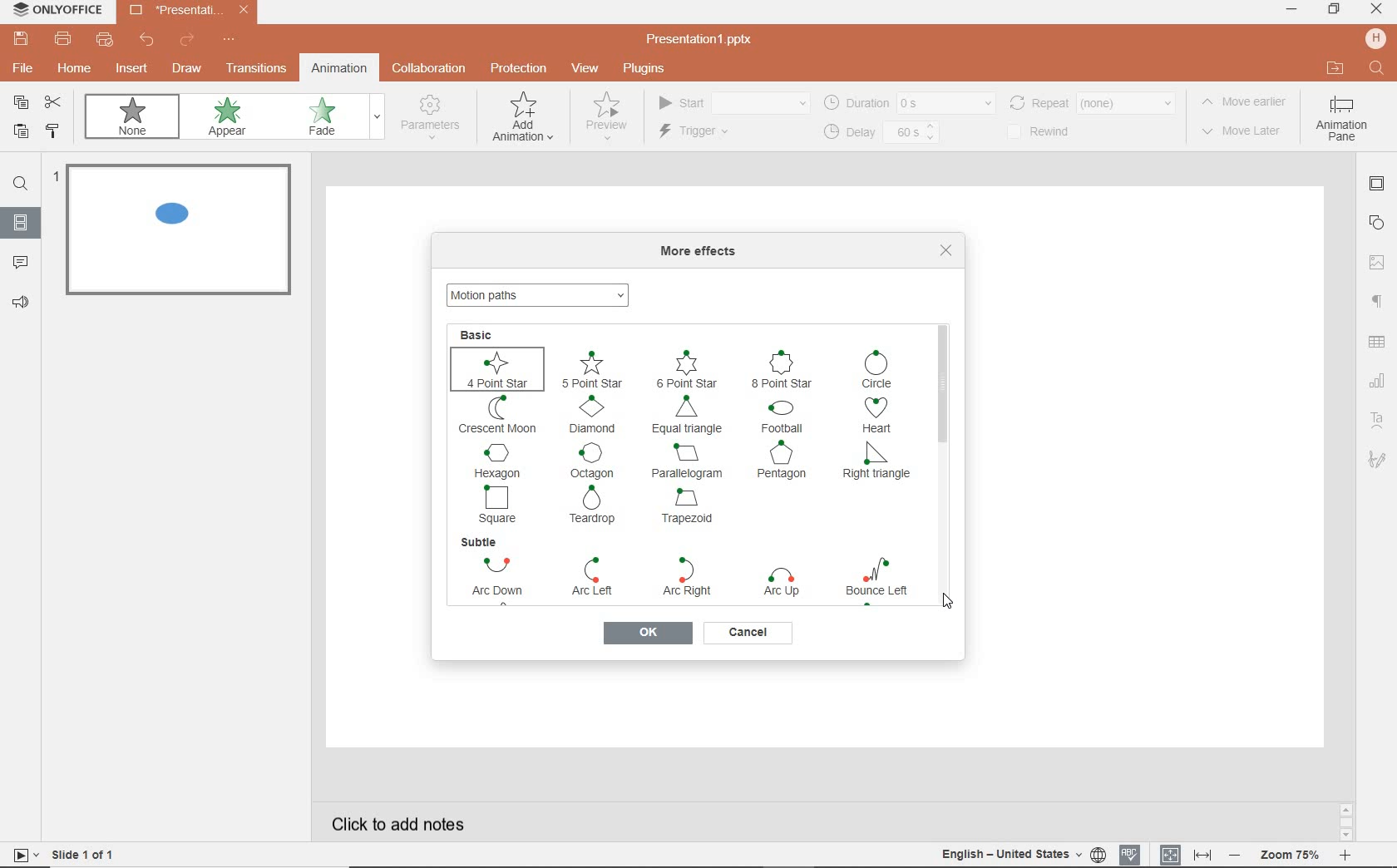  What do you see at coordinates (57, 10) in the screenshot?
I see `system name` at bounding box center [57, 10].